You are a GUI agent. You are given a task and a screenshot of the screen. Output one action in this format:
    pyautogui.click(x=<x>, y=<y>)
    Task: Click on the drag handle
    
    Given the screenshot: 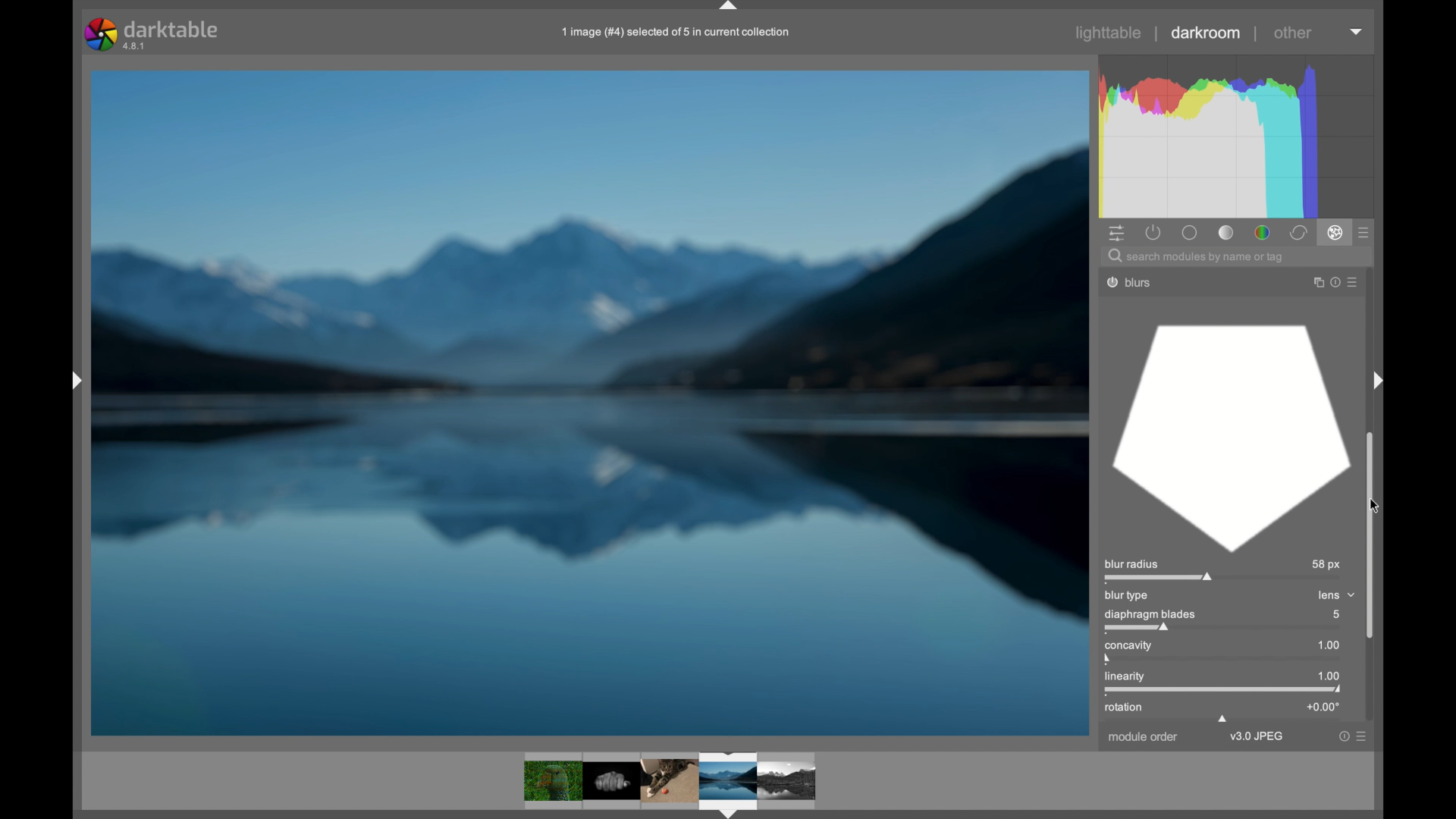 What is the action you would take?
    pyautogui.click(x=730, y=7)
    